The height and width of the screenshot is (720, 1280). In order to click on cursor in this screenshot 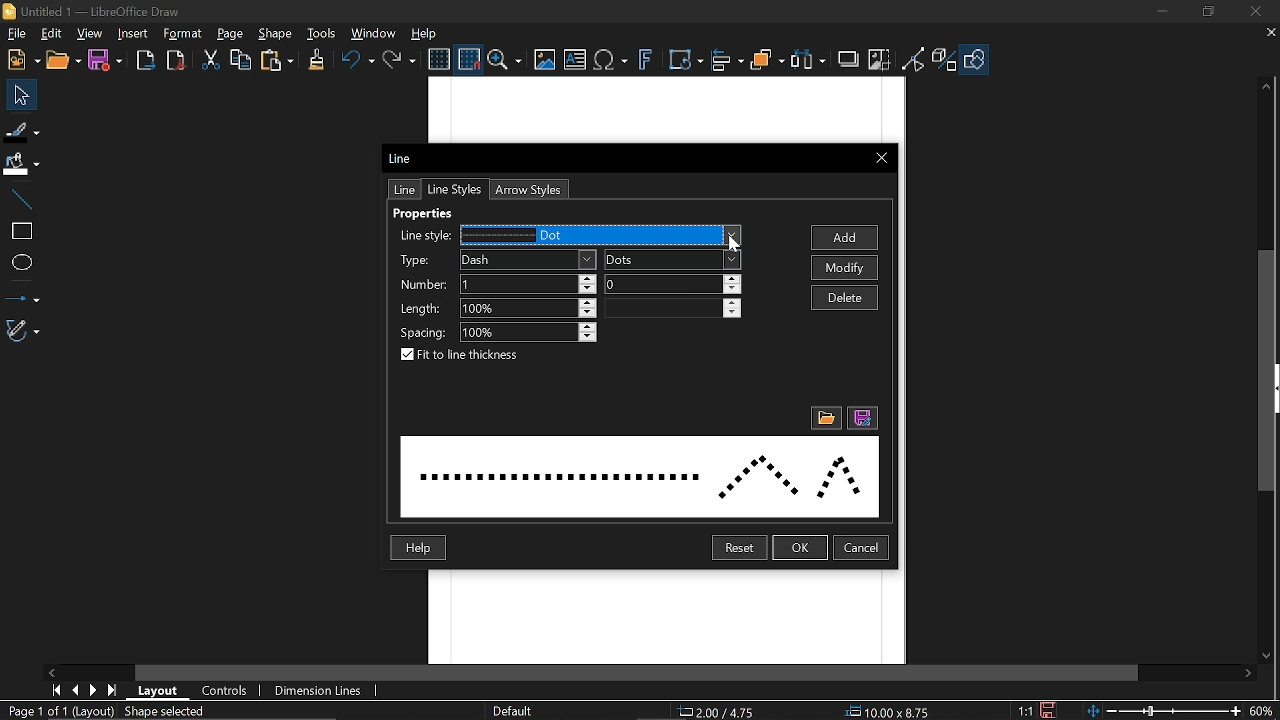, I will do `click(736, 243)`.